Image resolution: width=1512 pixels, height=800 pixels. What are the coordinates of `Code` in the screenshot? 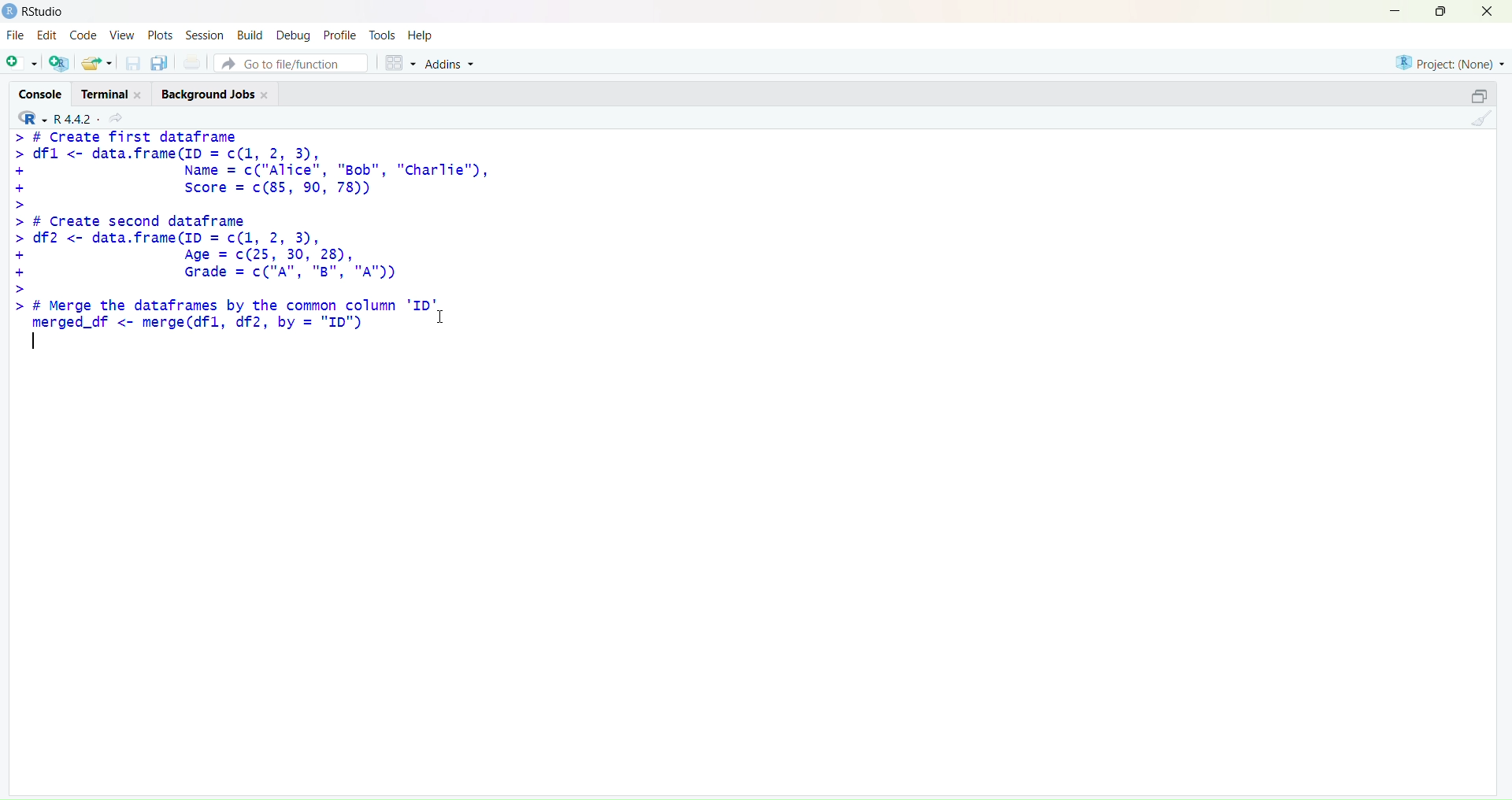 It's located at (86, 35).